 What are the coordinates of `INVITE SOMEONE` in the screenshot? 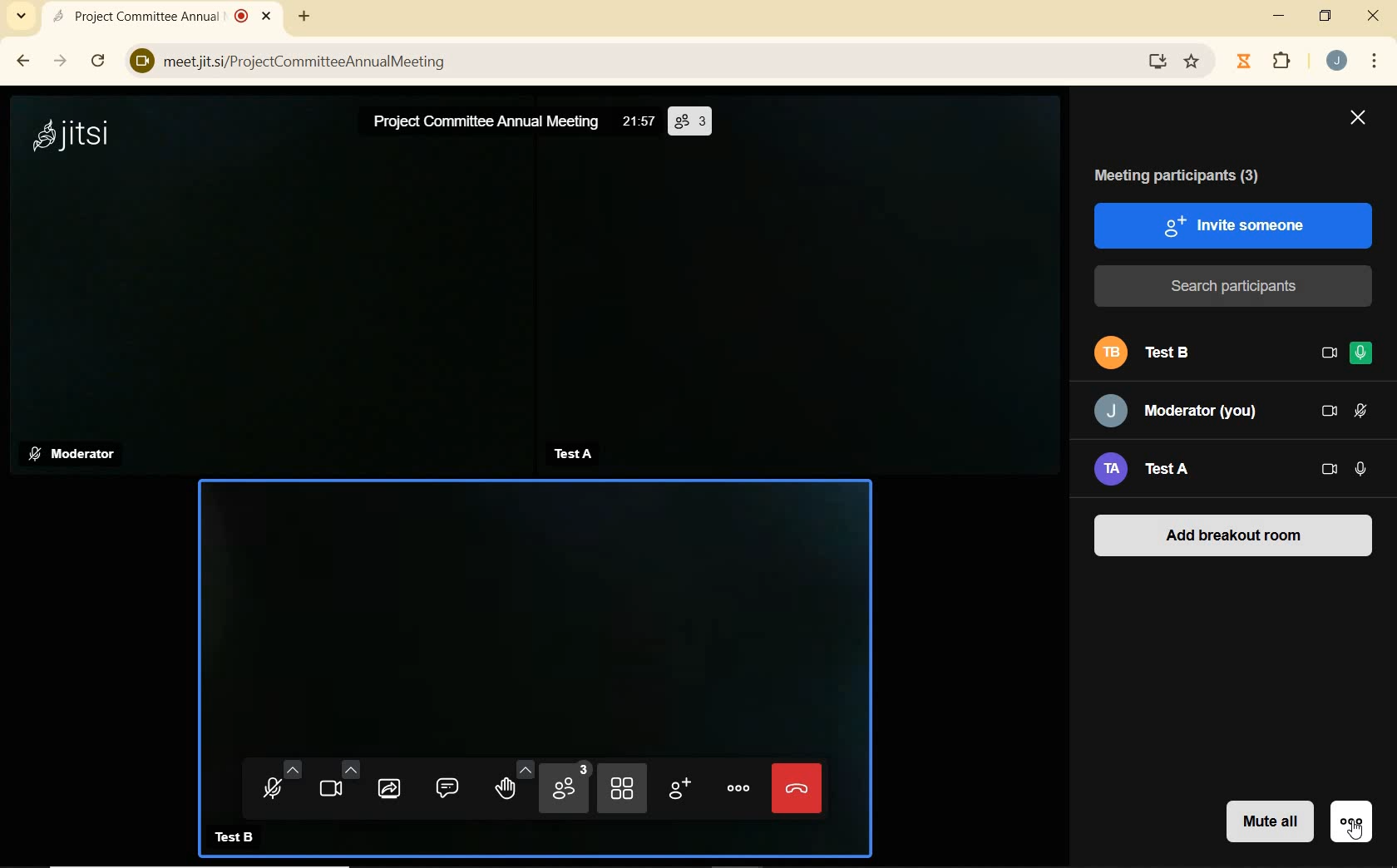 It's located at (1235, 224).